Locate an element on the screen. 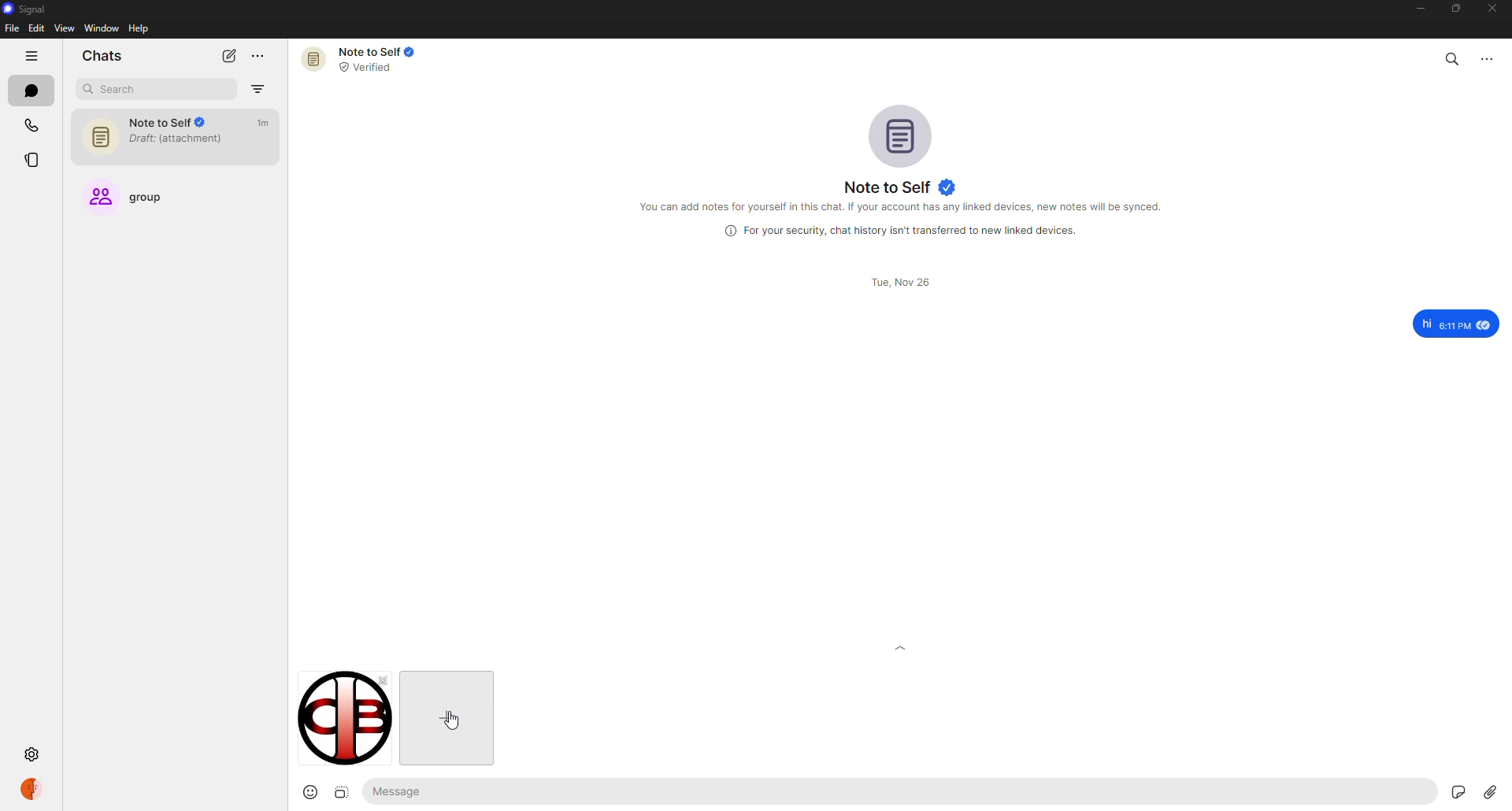 Image resolution: width=1512 pixels, height=811 pixels. search is located at coordinates (135, 87).